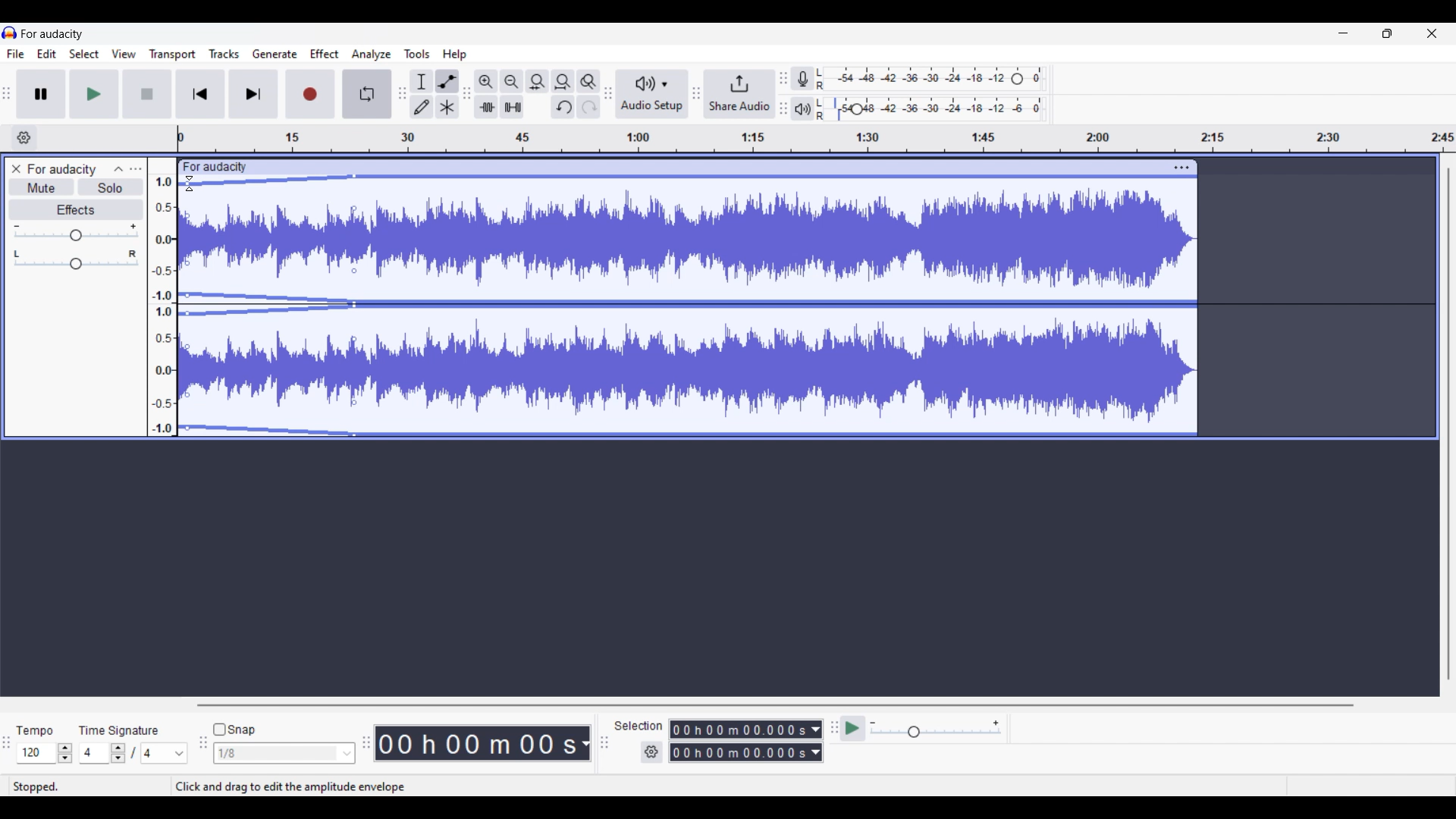 This screenshot has width=1456, height=819. I want to click on Click and drag to edit the amplitude envelope, so click(288, 787).